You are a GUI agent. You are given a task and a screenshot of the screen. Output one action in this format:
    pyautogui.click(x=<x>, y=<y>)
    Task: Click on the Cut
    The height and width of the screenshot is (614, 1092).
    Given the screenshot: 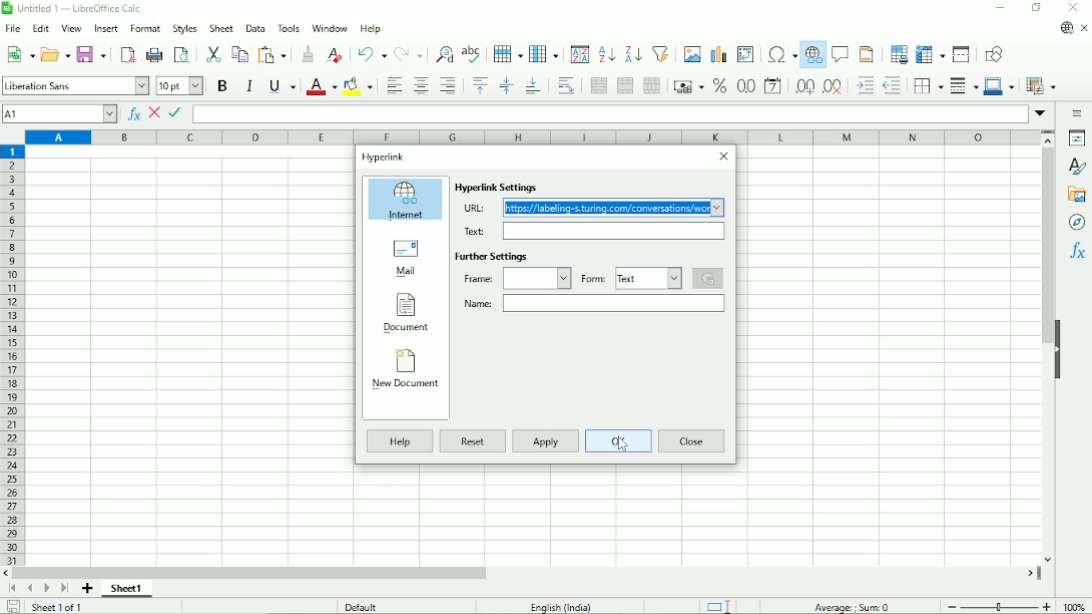 What is the action you would take?
    pyautogui.click(x=214, y=54)
    